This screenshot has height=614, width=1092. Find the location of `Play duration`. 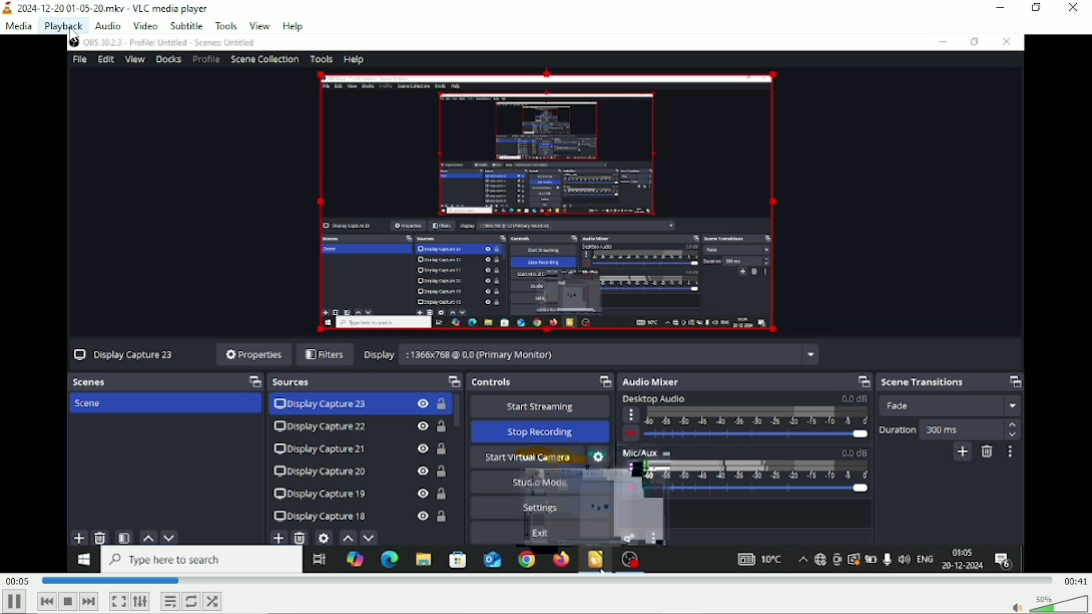

Play duration is located at coordinates (547, 579).